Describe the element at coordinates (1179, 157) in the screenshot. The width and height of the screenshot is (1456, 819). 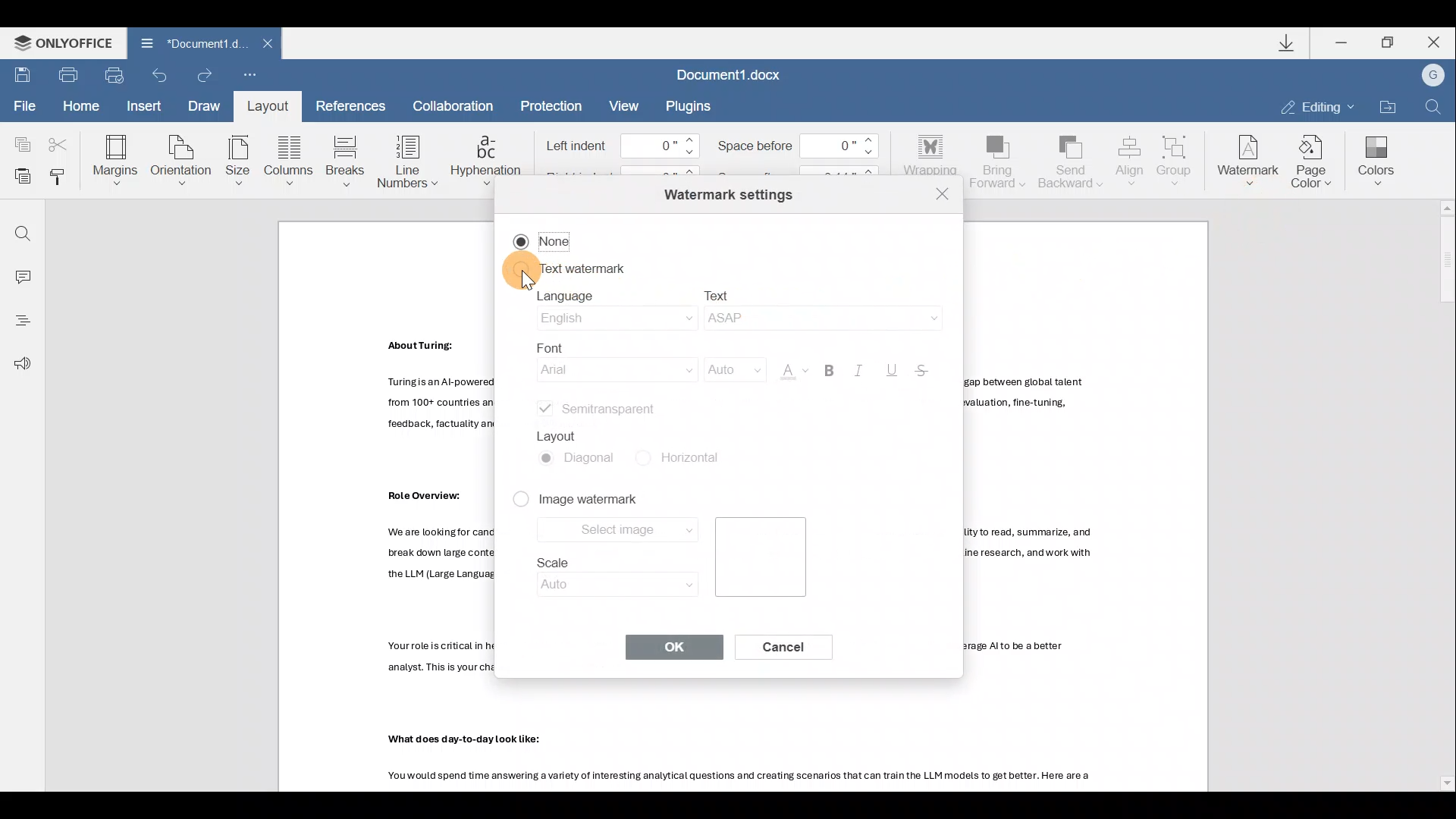
I see `Group` at that location.